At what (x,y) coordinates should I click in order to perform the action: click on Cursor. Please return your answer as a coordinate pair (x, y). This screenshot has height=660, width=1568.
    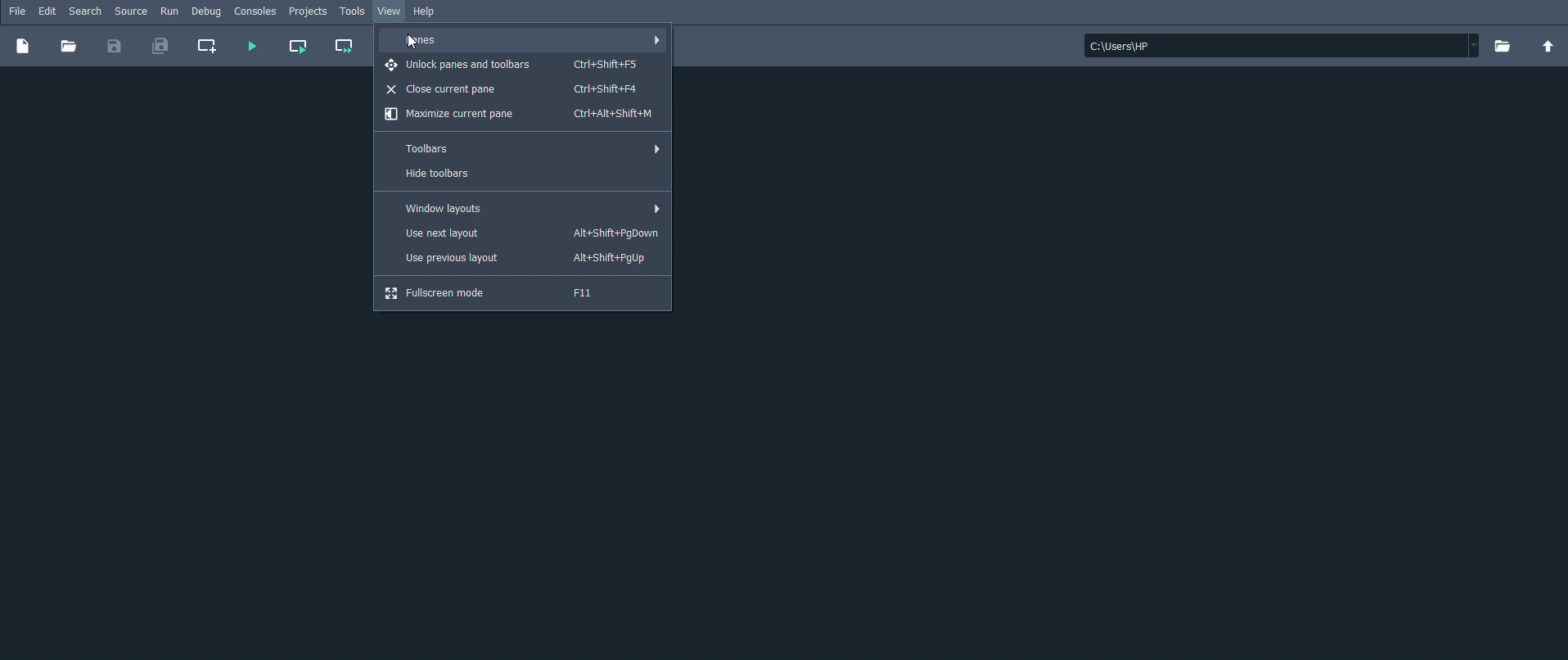
    Looking at the image, I should click on (413, 42).